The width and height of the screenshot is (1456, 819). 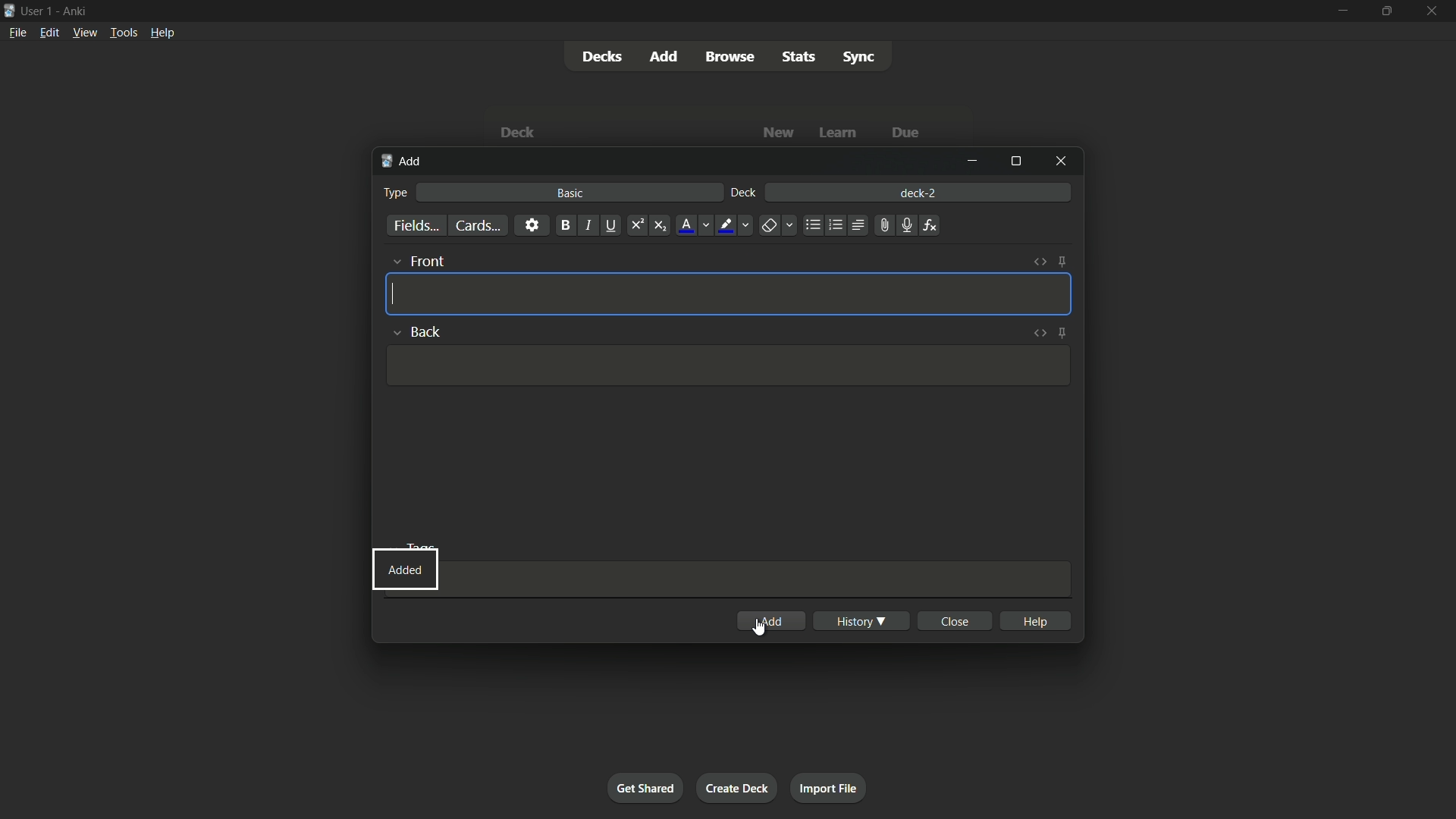 I want to click on maximize, so click(x=1385, y=11).